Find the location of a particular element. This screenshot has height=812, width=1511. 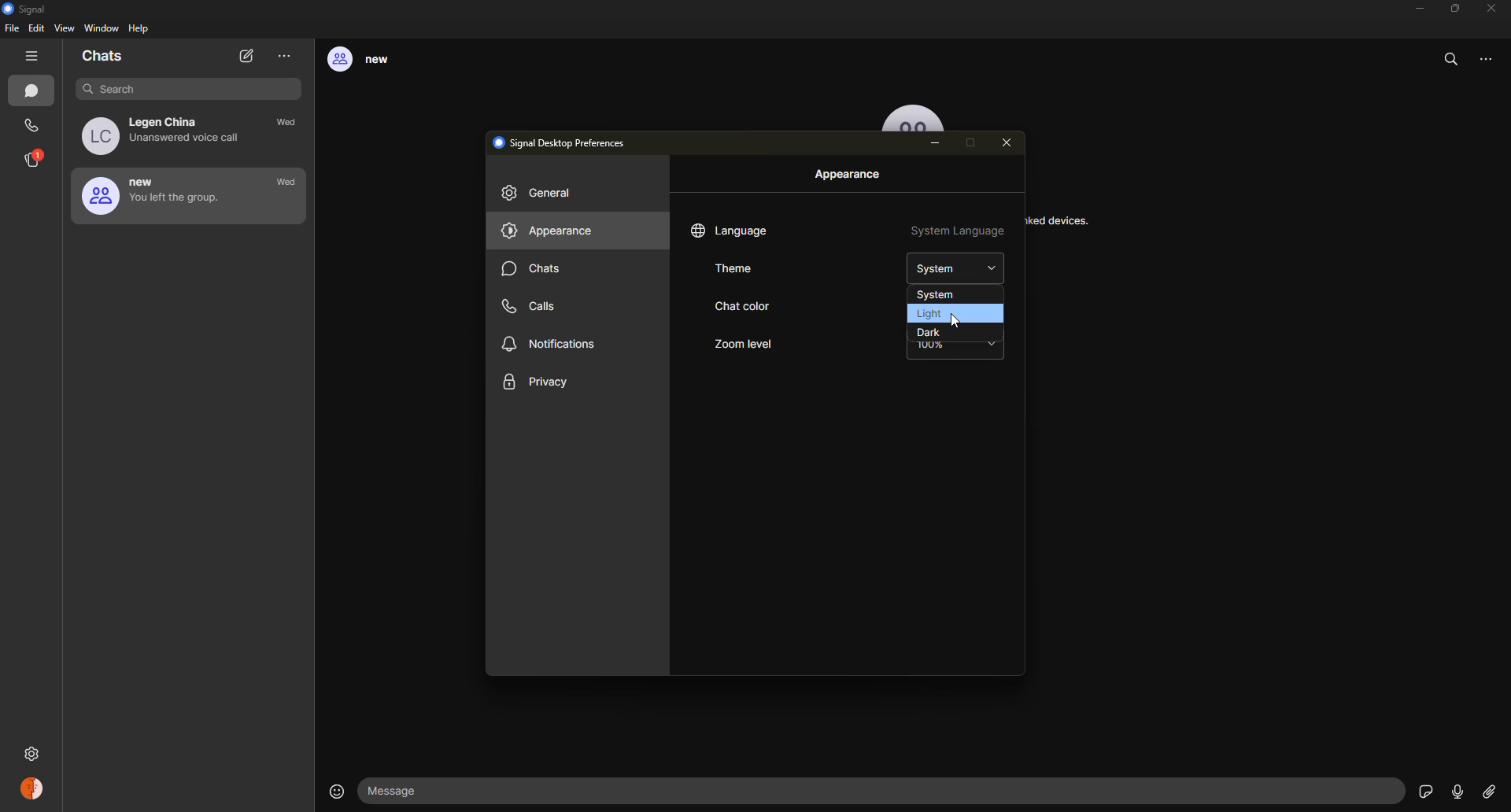

smilley is located at coordinates (334, 791).